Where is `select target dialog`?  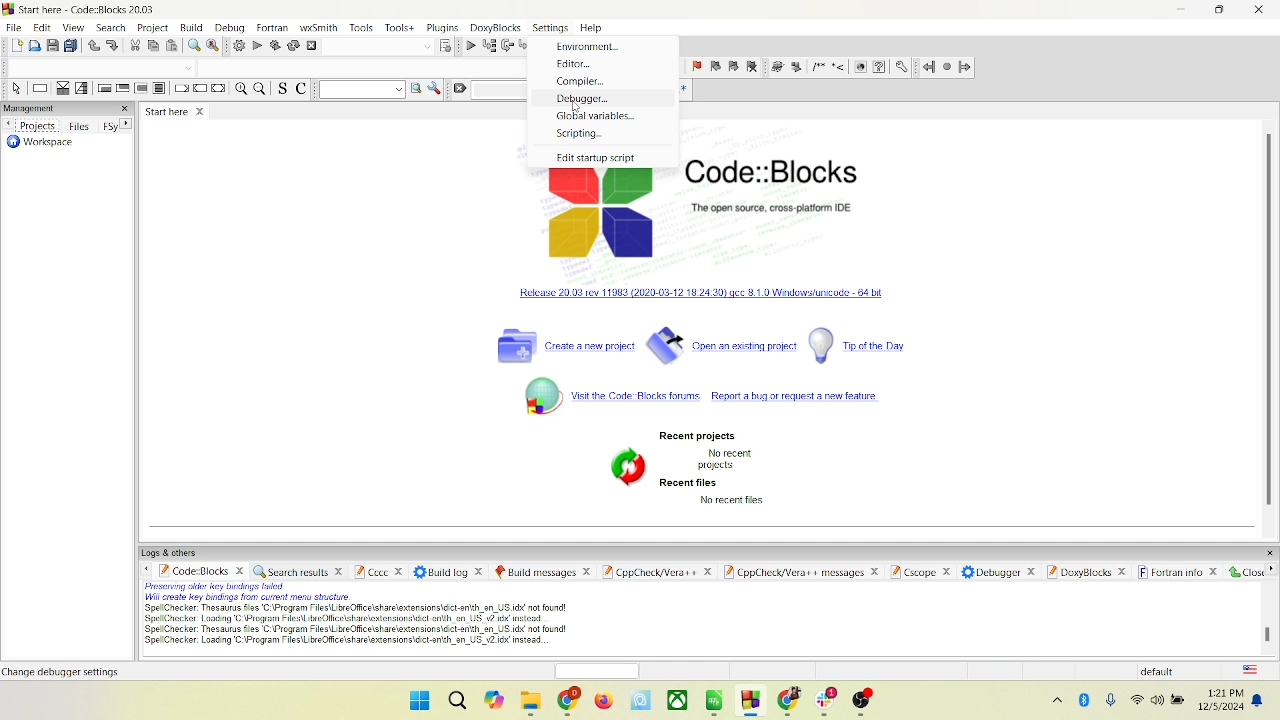 select target dialog is located at coordinates (447, 46).